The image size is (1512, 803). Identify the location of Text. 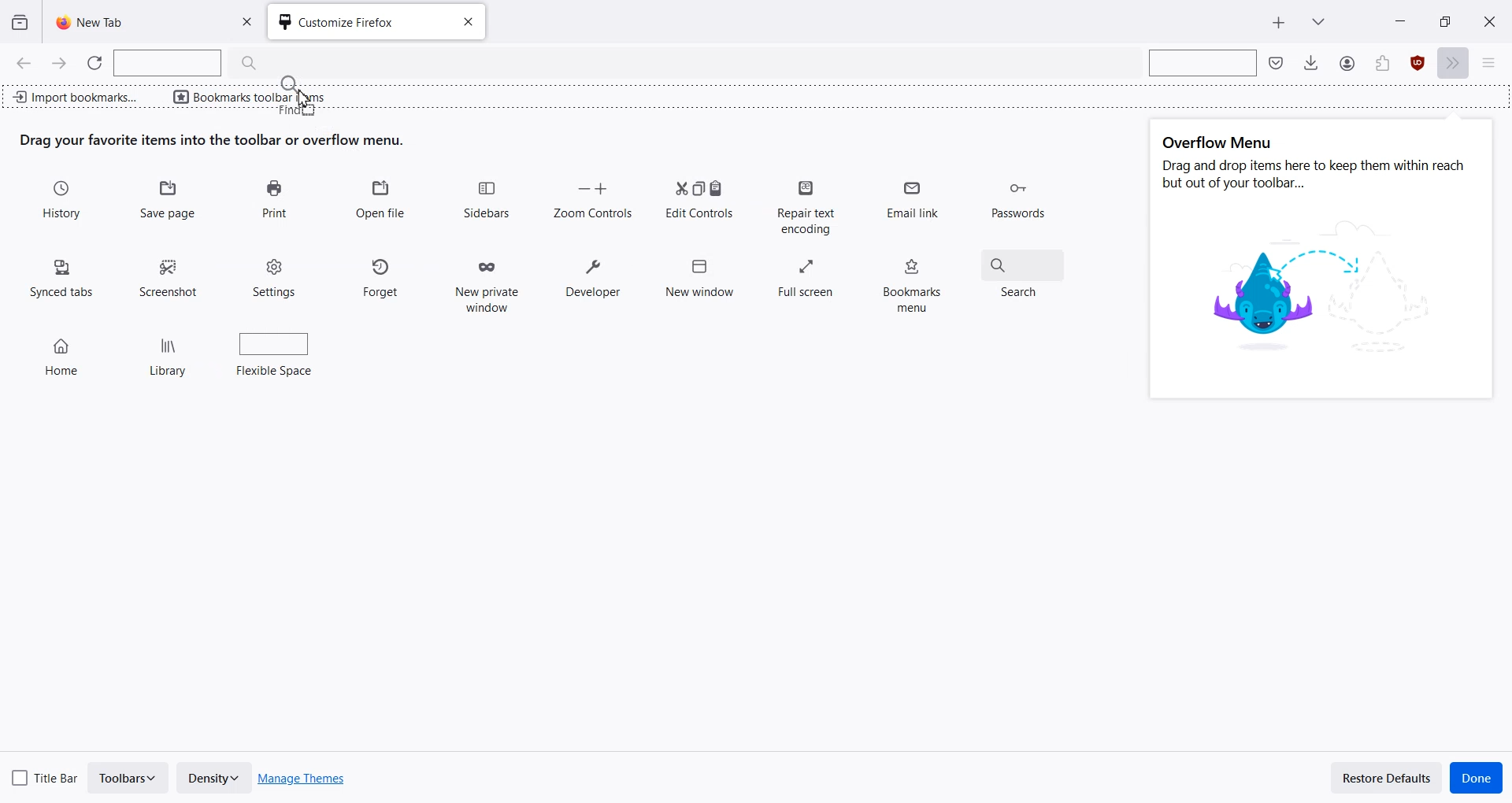
(213, 140).